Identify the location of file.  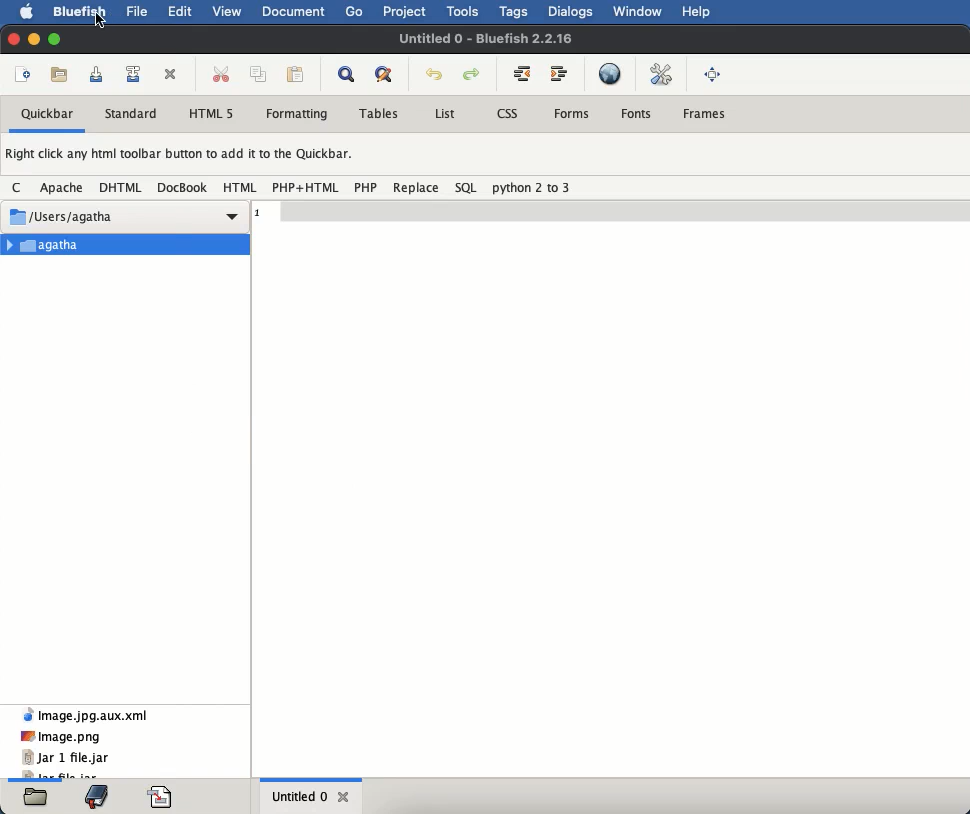
(136, 11).